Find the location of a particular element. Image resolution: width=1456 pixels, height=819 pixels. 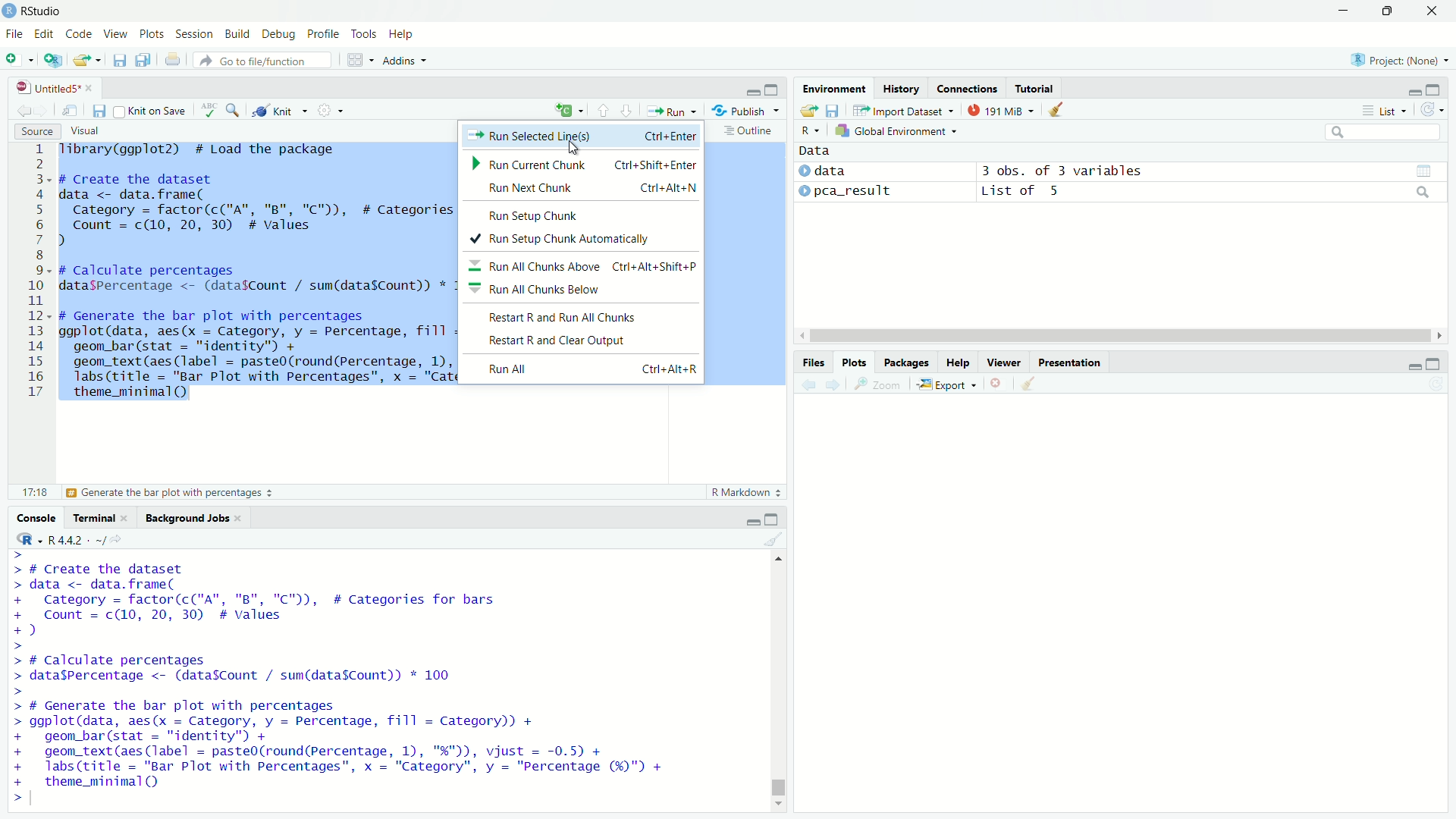

import dataset is located at coordinates (906, 111).